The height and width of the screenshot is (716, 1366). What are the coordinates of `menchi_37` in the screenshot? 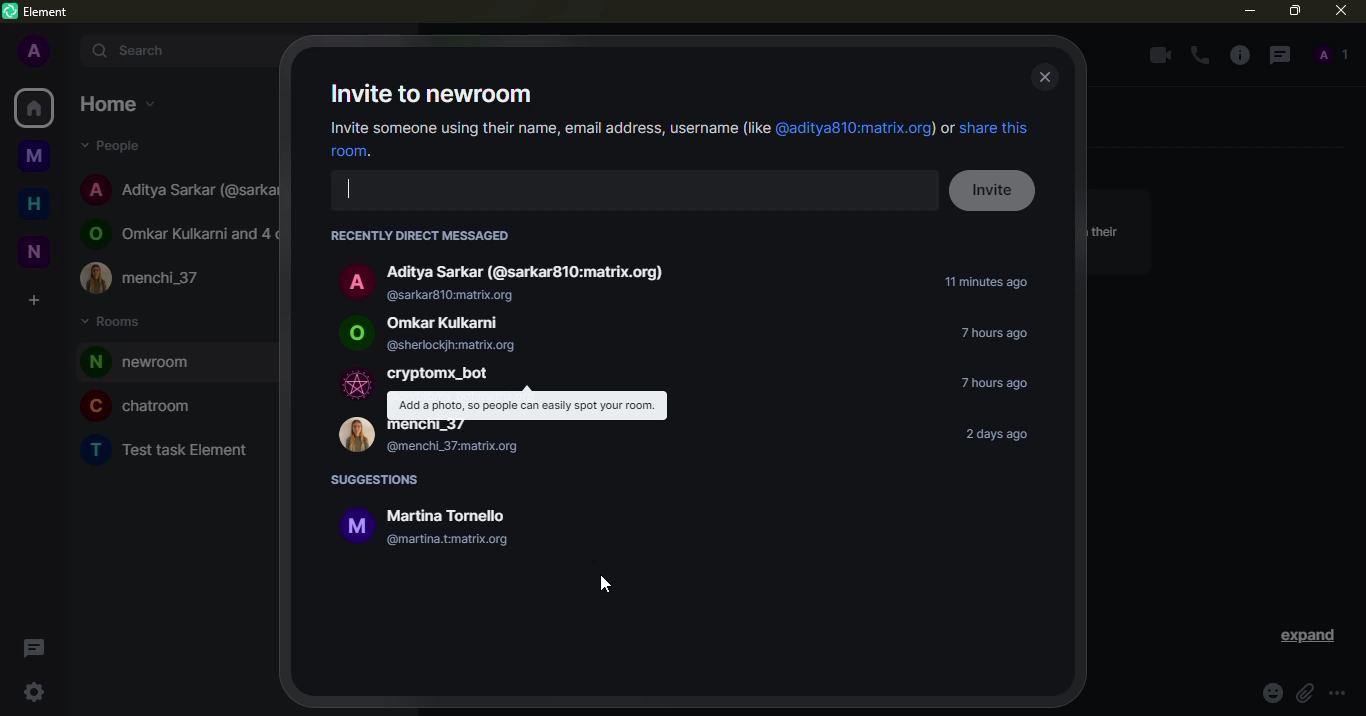 It's located at (140, 280).